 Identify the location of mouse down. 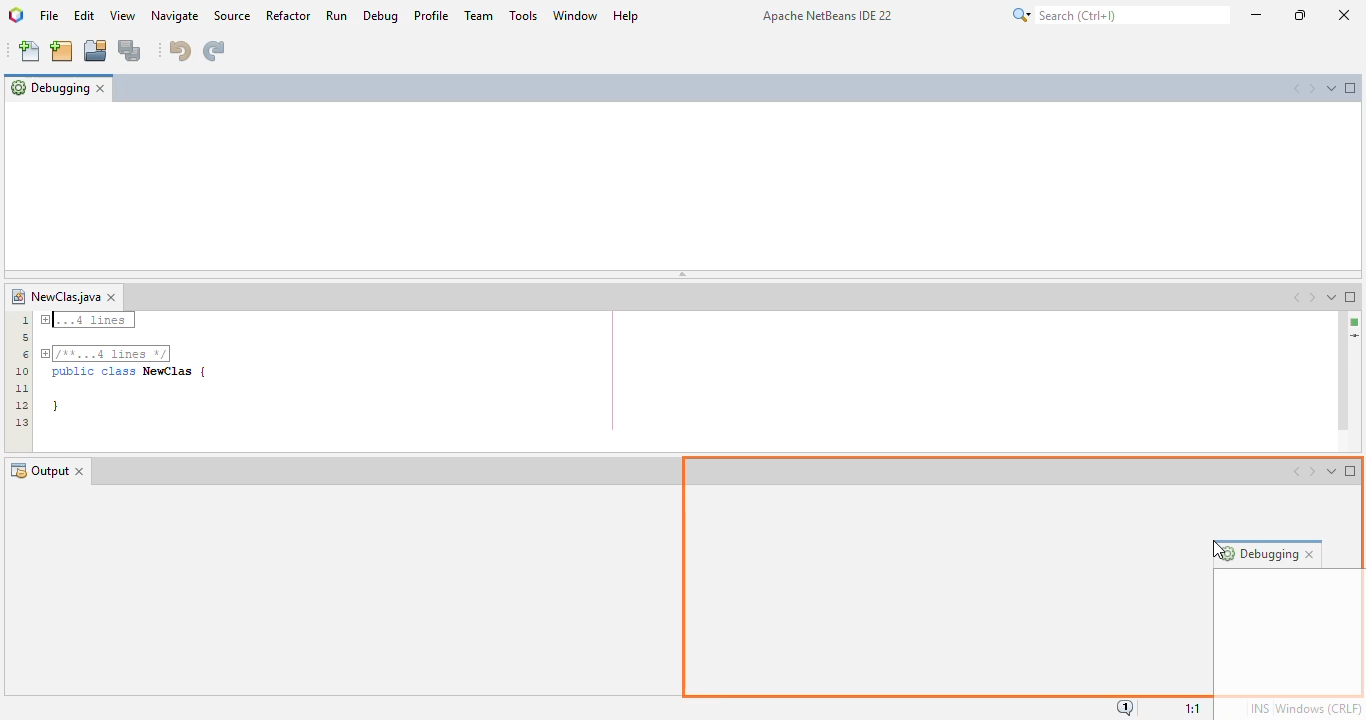
(82, 104).